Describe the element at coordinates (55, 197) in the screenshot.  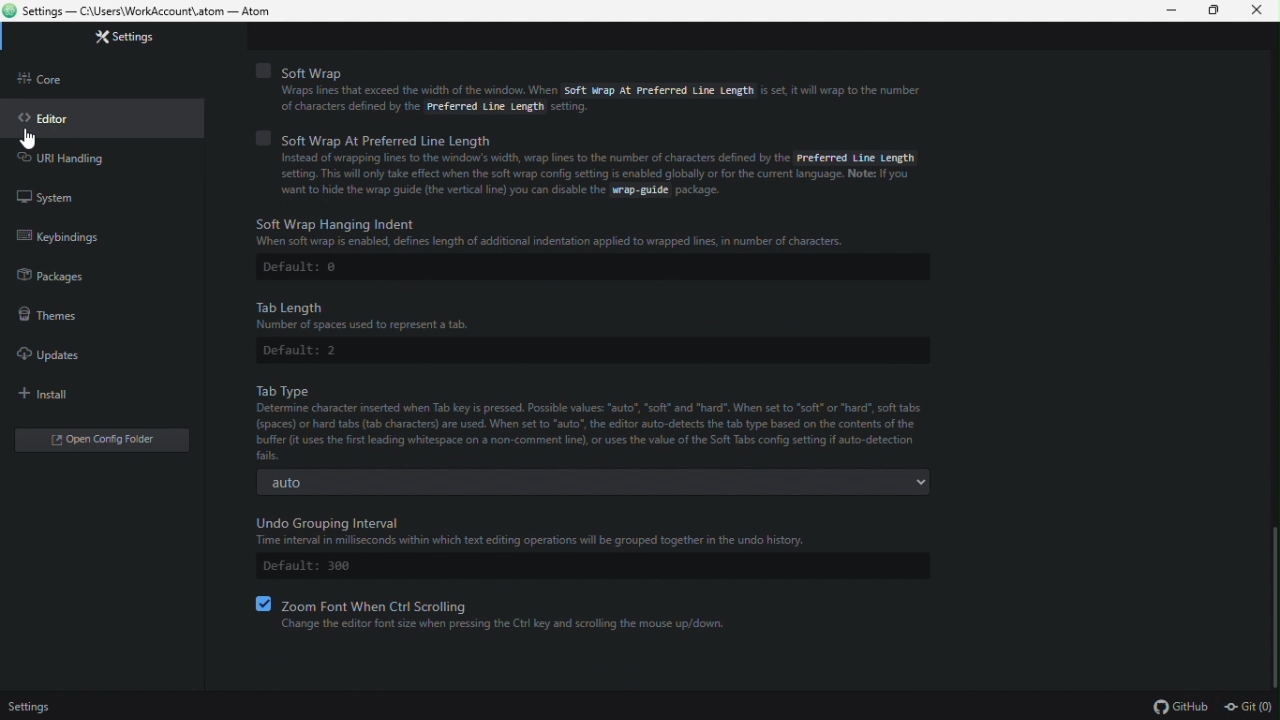
I see `System` at that location.